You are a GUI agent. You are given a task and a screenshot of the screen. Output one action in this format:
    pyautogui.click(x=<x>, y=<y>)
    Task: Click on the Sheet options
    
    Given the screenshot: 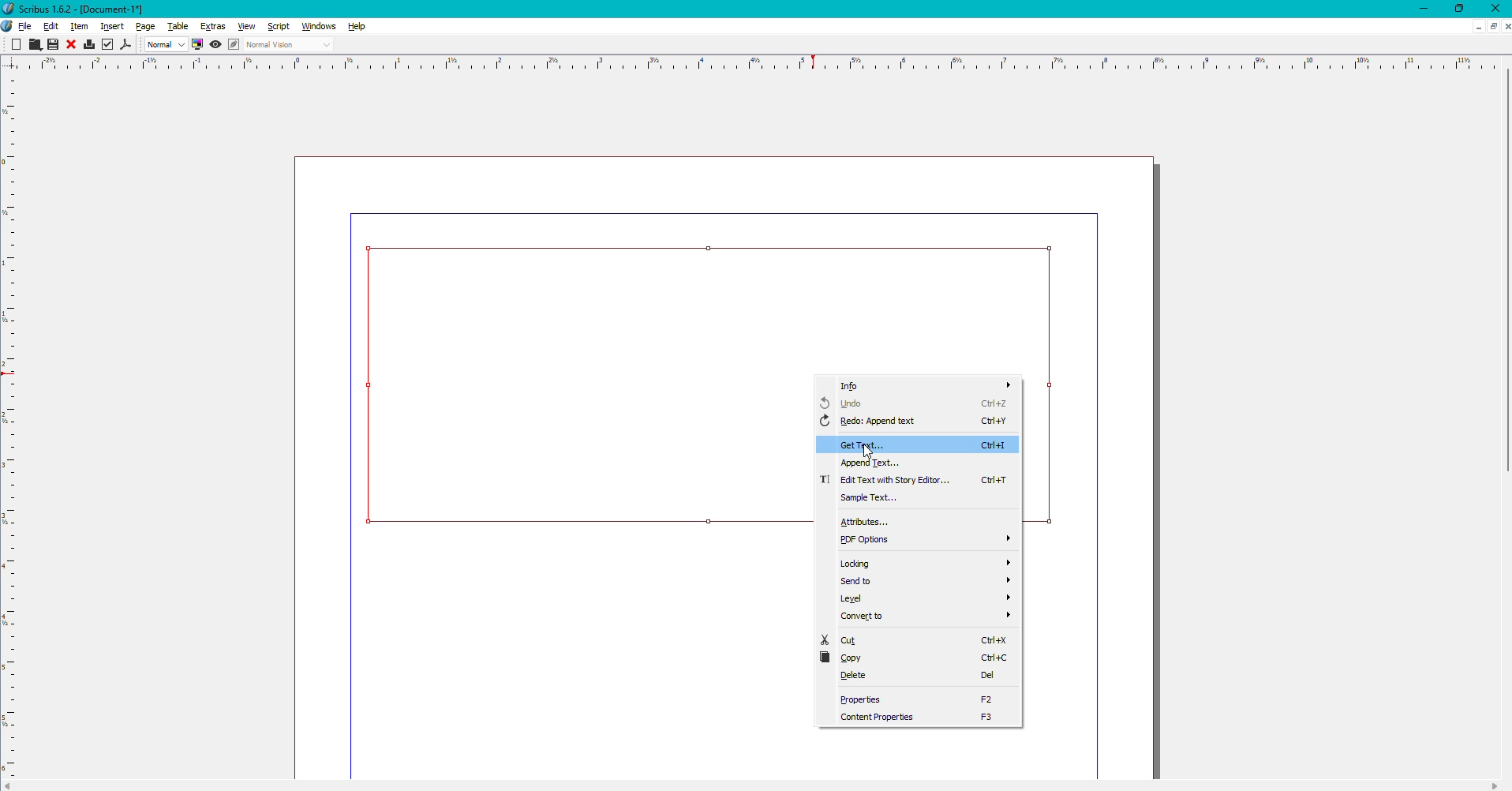 What is the action you would take?
    pyautogui.click(x=1483, y=25)
    